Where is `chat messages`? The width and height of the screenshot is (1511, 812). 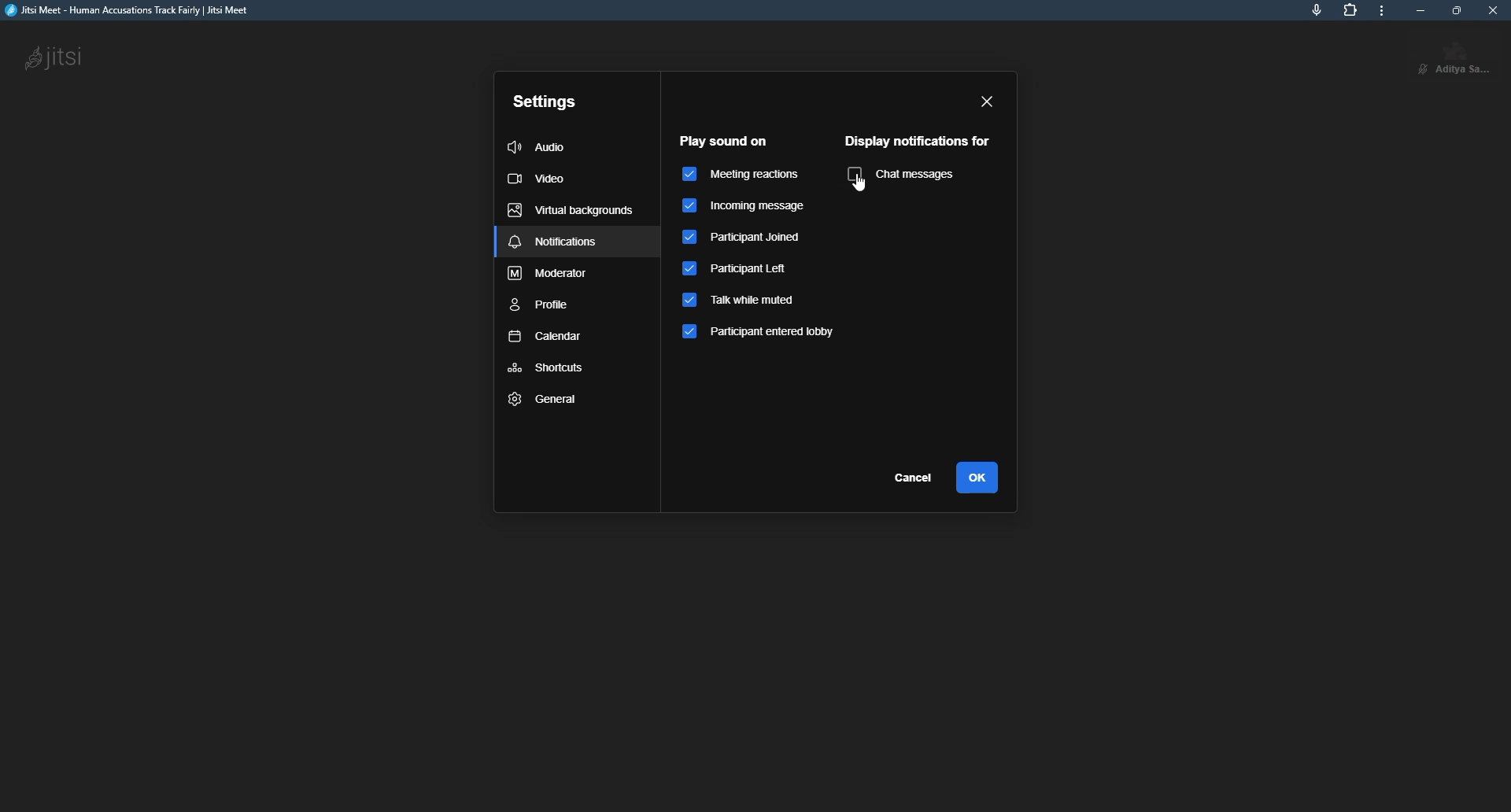
chat messages is located at coordinates (903, 173).